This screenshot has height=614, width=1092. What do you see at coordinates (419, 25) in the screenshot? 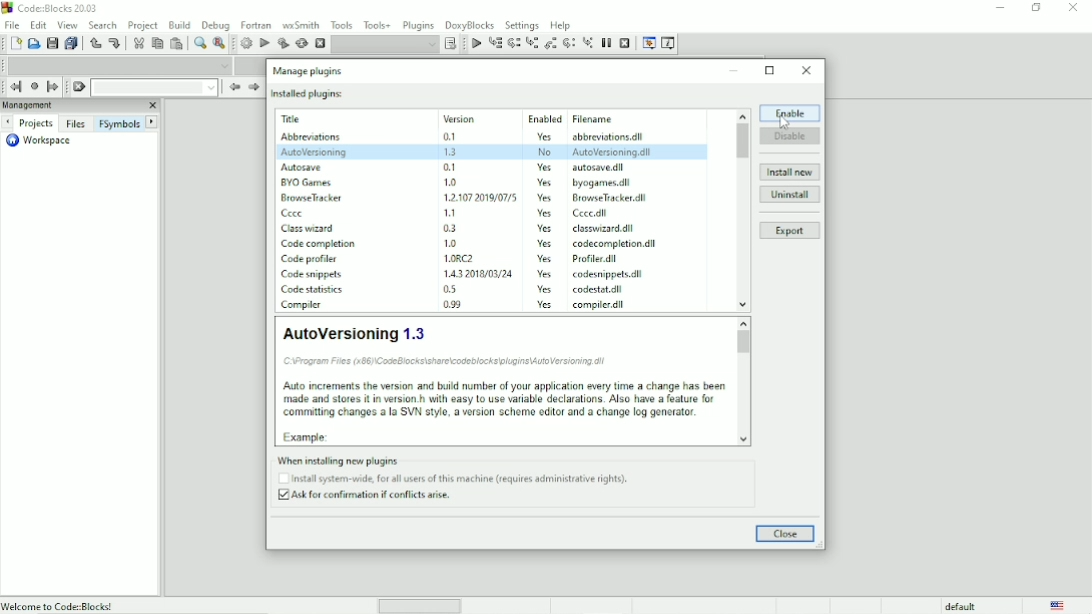
I see `Plugins` at bounding box center [419, 25].